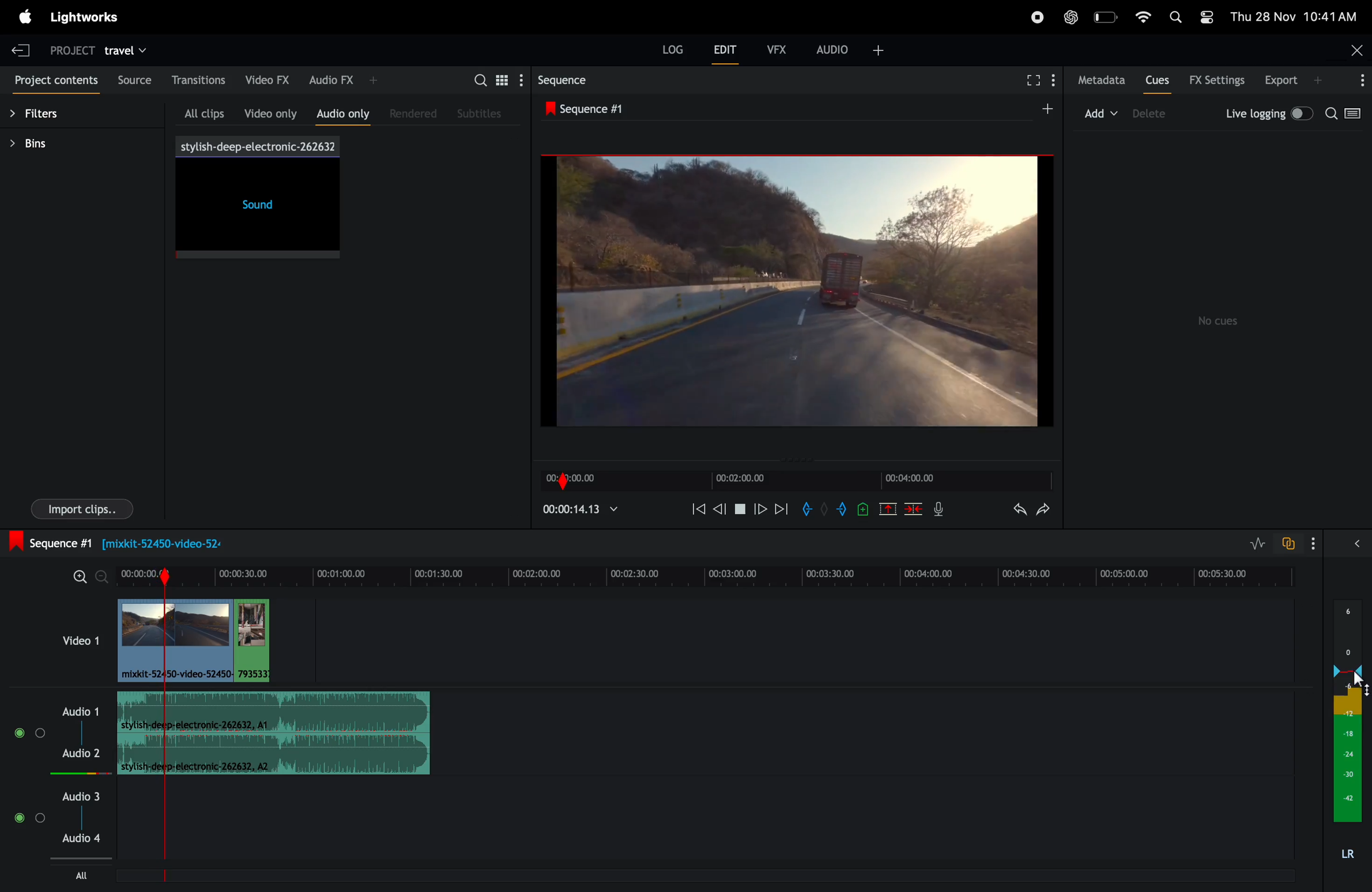 This screenshot has width=1372, height=892. I want to click on Solo track, so click(40, 821).